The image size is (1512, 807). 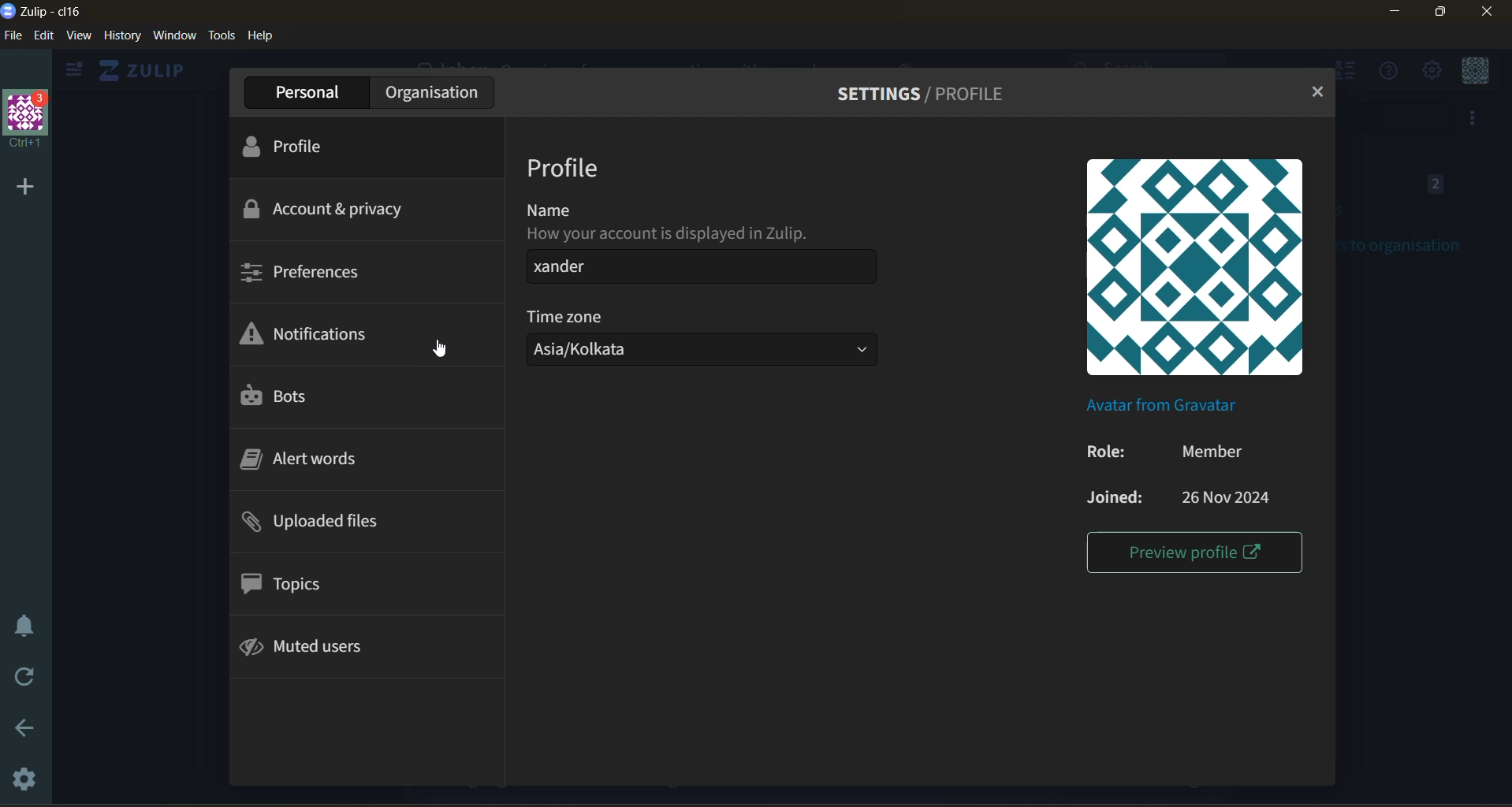 What do you see at coordinates (1179, 454) in the screenshot?
I see `role` at bounding box center [1179, 454].